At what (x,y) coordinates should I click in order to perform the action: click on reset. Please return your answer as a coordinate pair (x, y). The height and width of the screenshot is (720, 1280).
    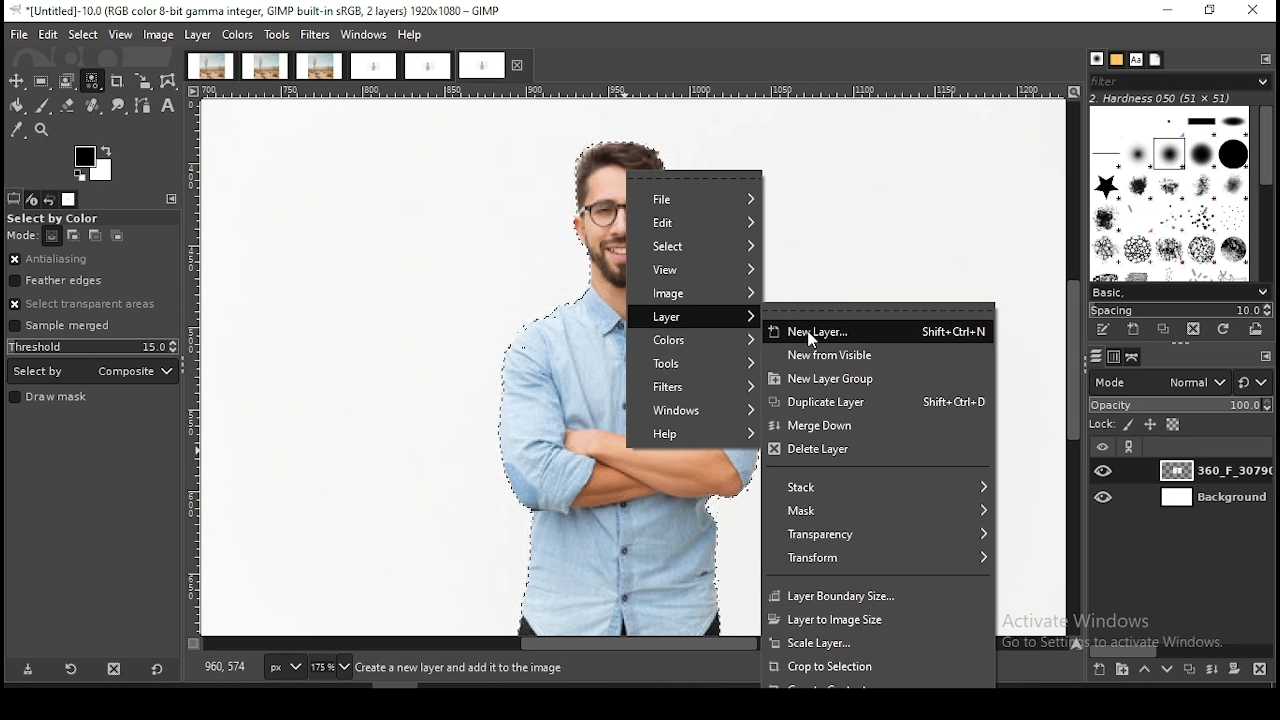
    Looking at the image, I should click on (1254, 381).